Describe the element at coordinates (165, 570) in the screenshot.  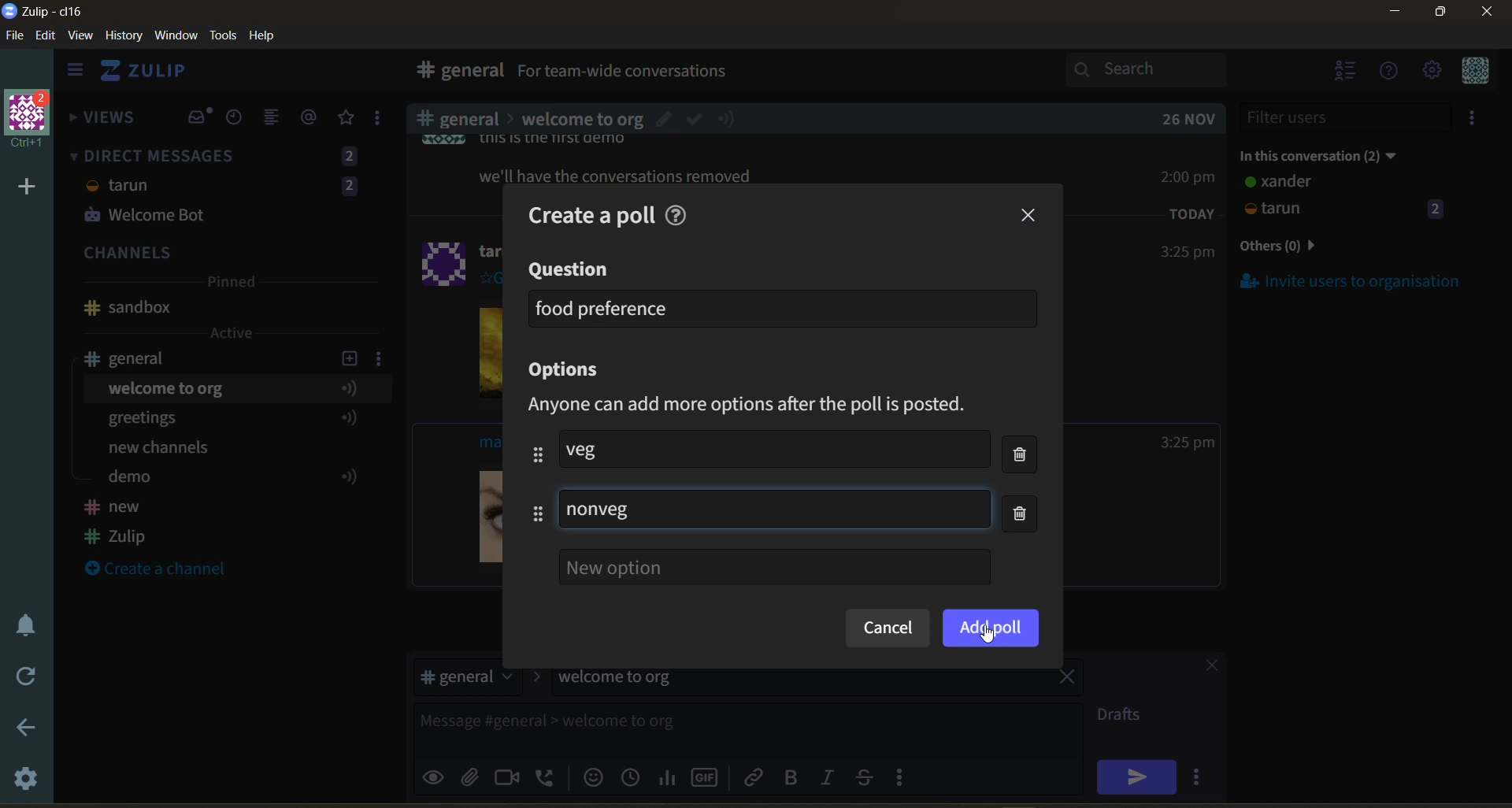
I see `create a channel` at that location.